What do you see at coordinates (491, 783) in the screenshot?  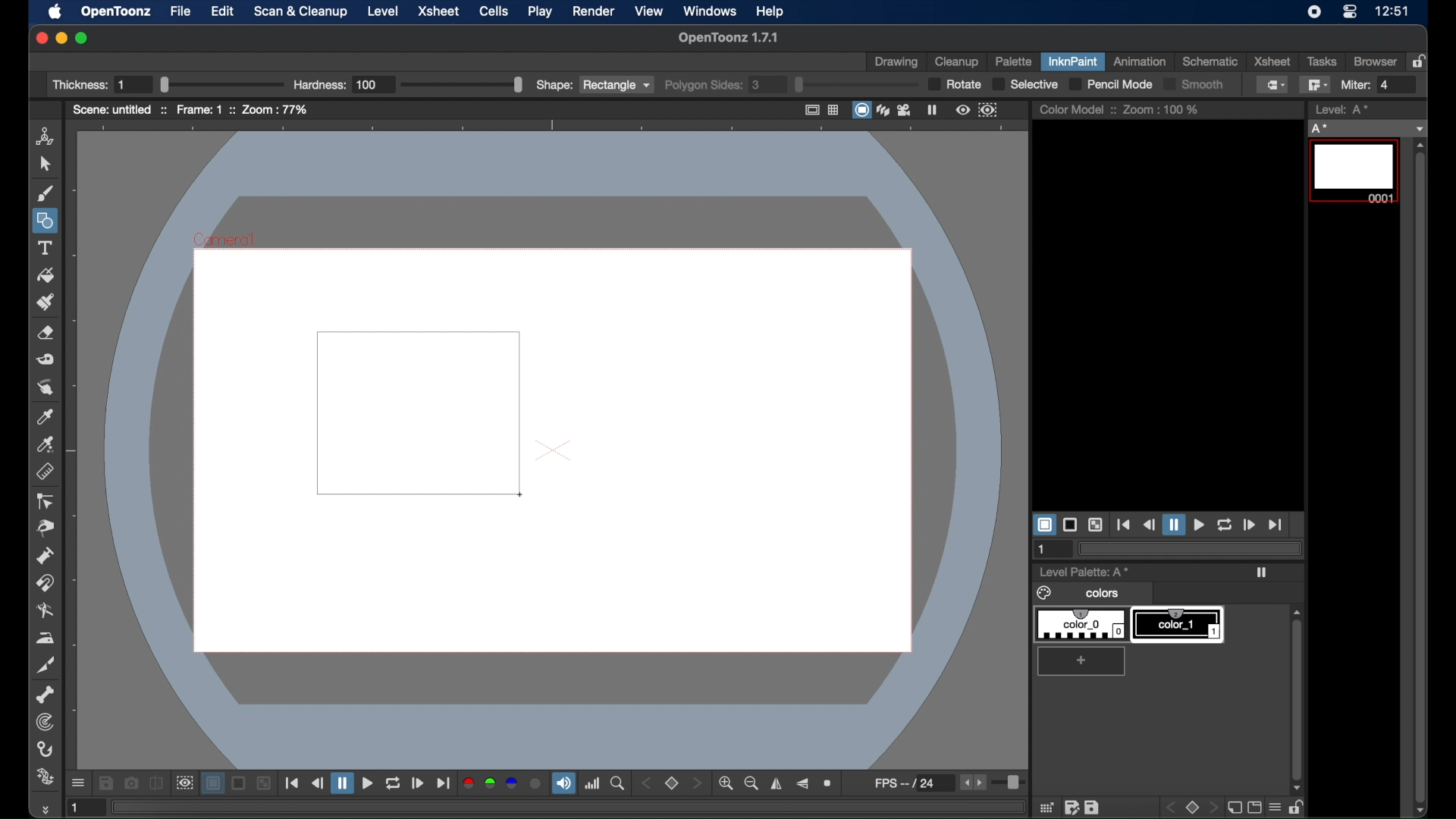 I see `green channel` at bounding box center [491, 783].